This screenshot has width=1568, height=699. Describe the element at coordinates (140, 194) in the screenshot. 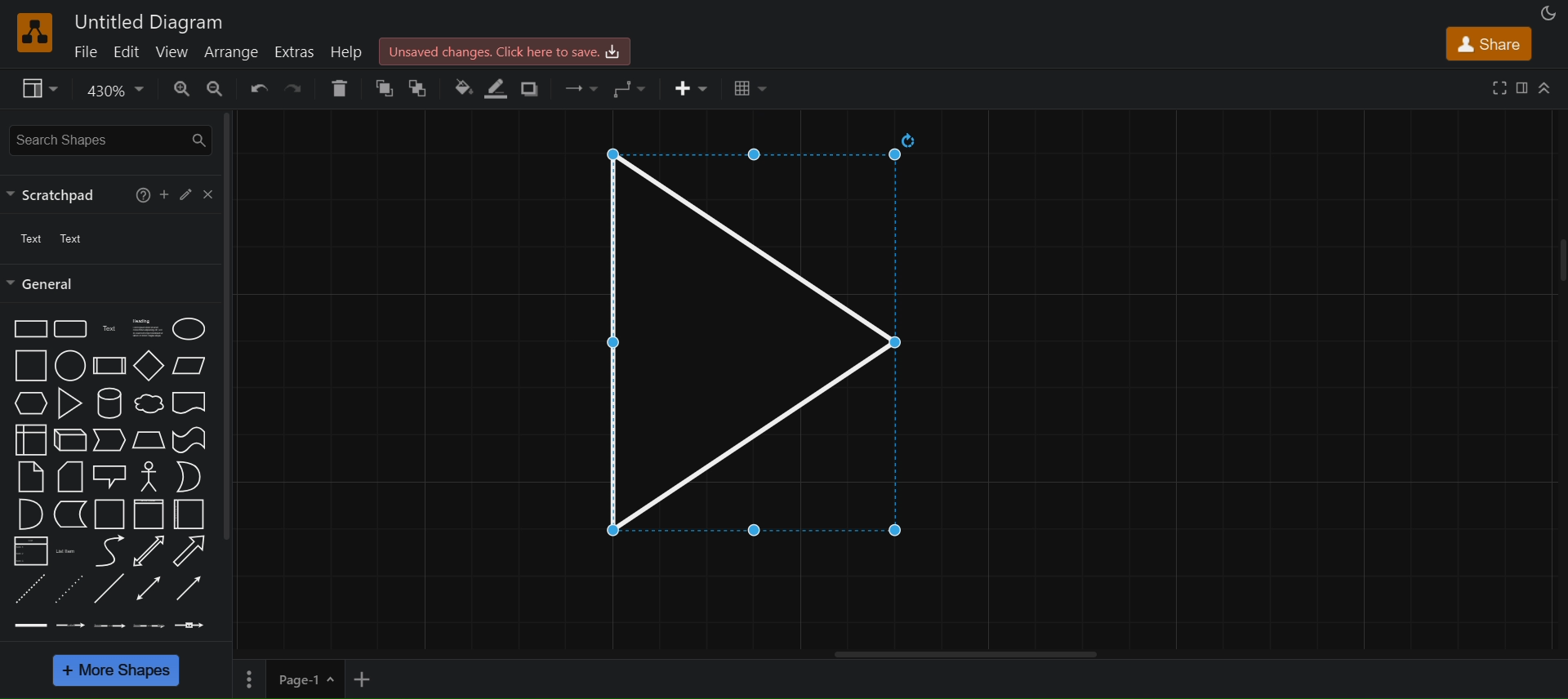

I see `help` at that location.